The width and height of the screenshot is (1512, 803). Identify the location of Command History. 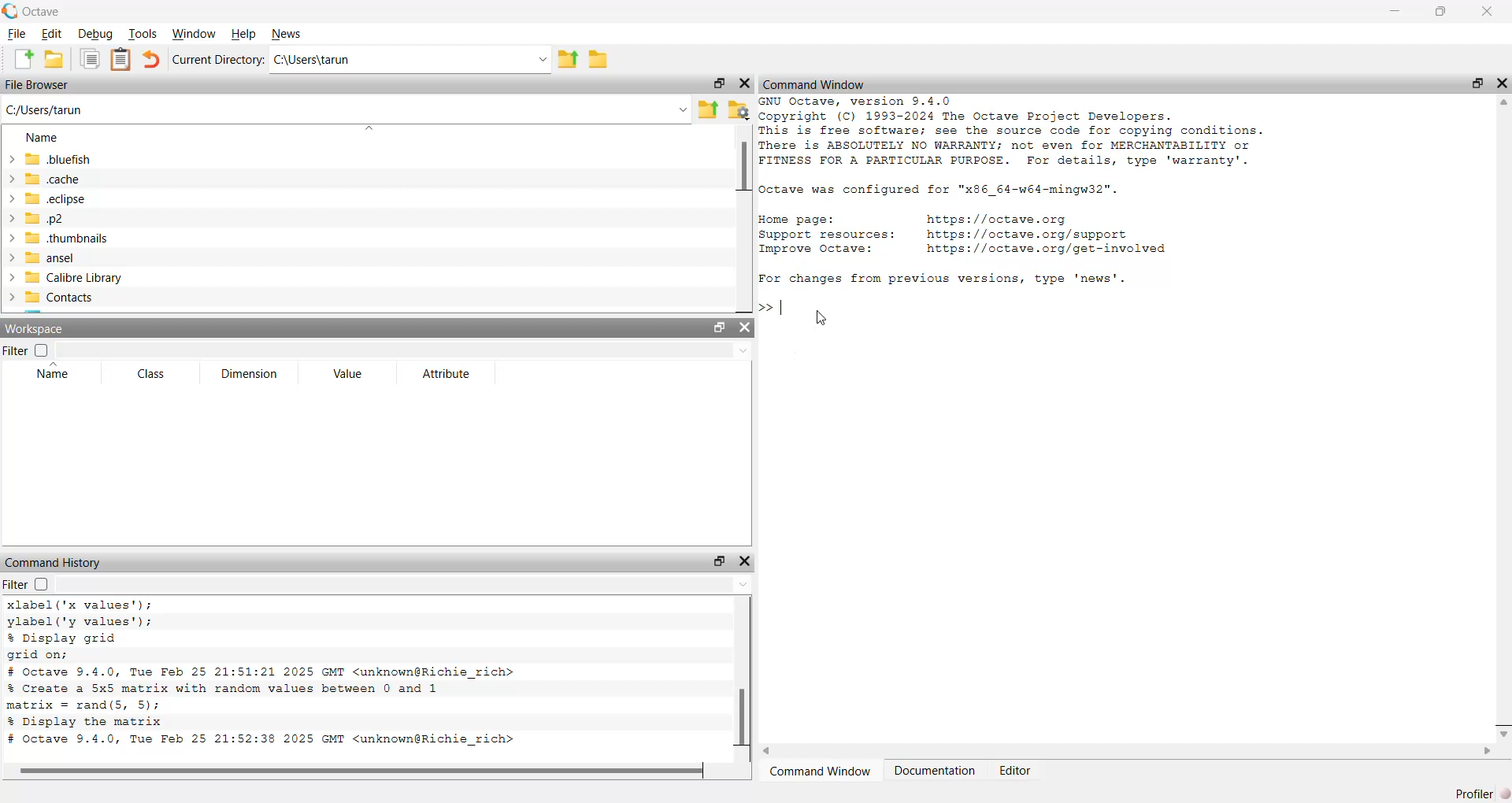
(56, 560).